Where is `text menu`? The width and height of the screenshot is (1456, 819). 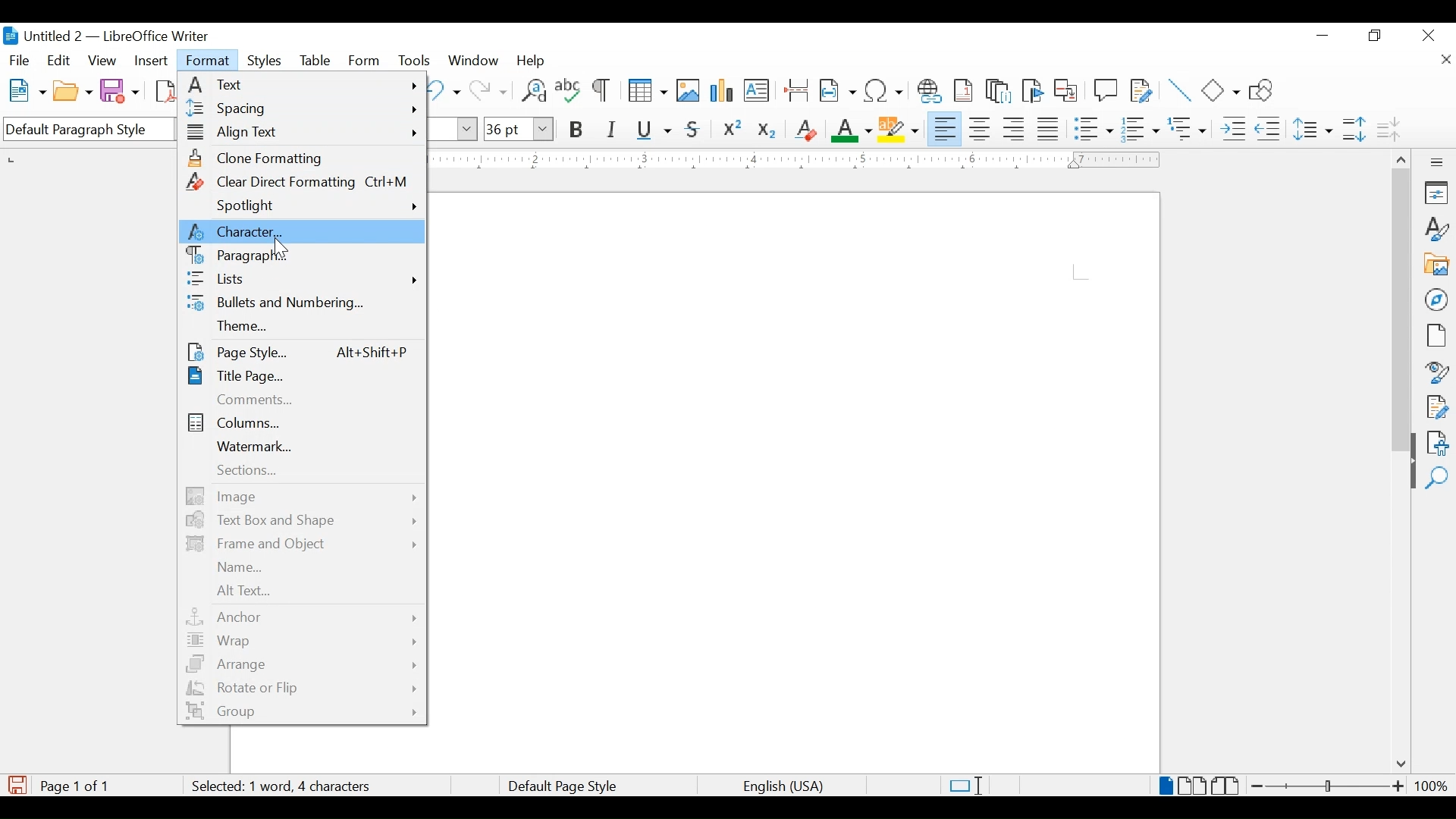
text menu is located at coordinates (302, 84).